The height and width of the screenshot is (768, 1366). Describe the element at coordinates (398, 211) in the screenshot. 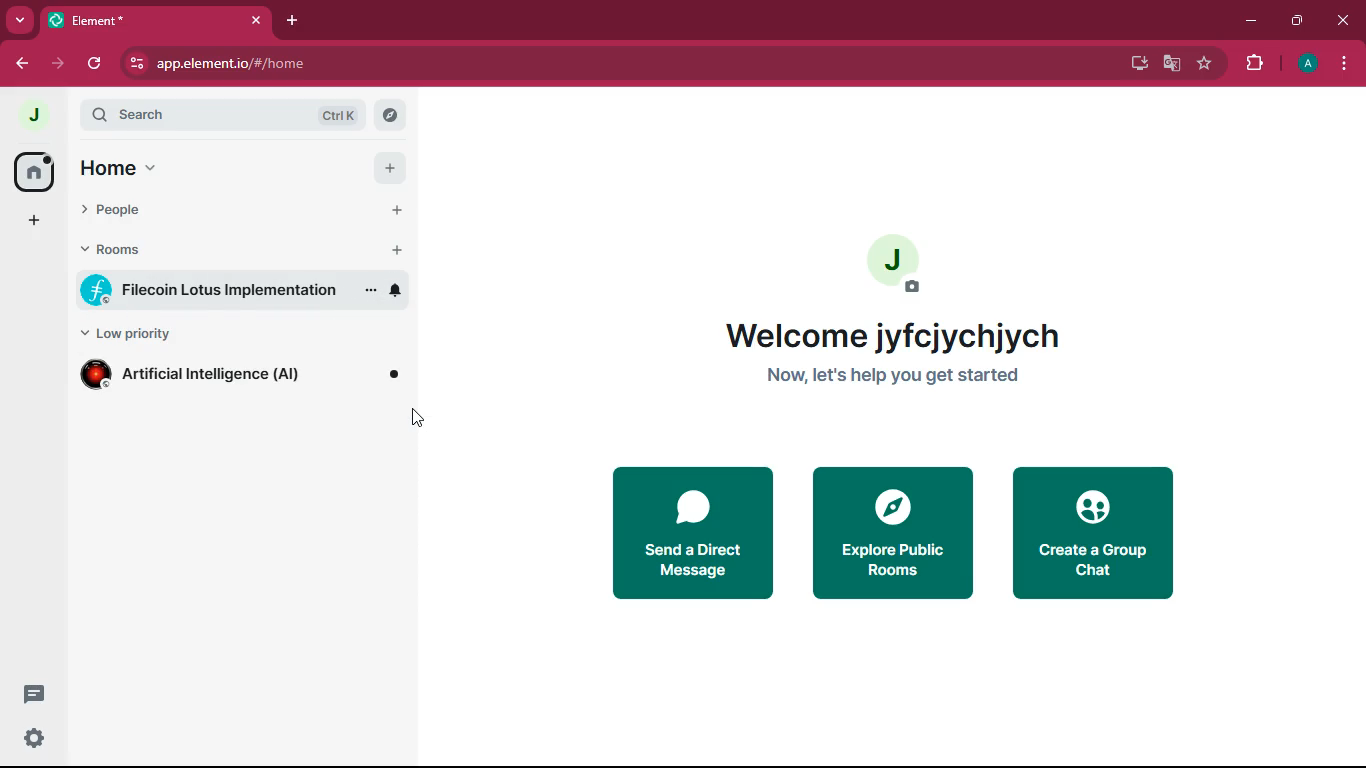

I see `add people` at that location.